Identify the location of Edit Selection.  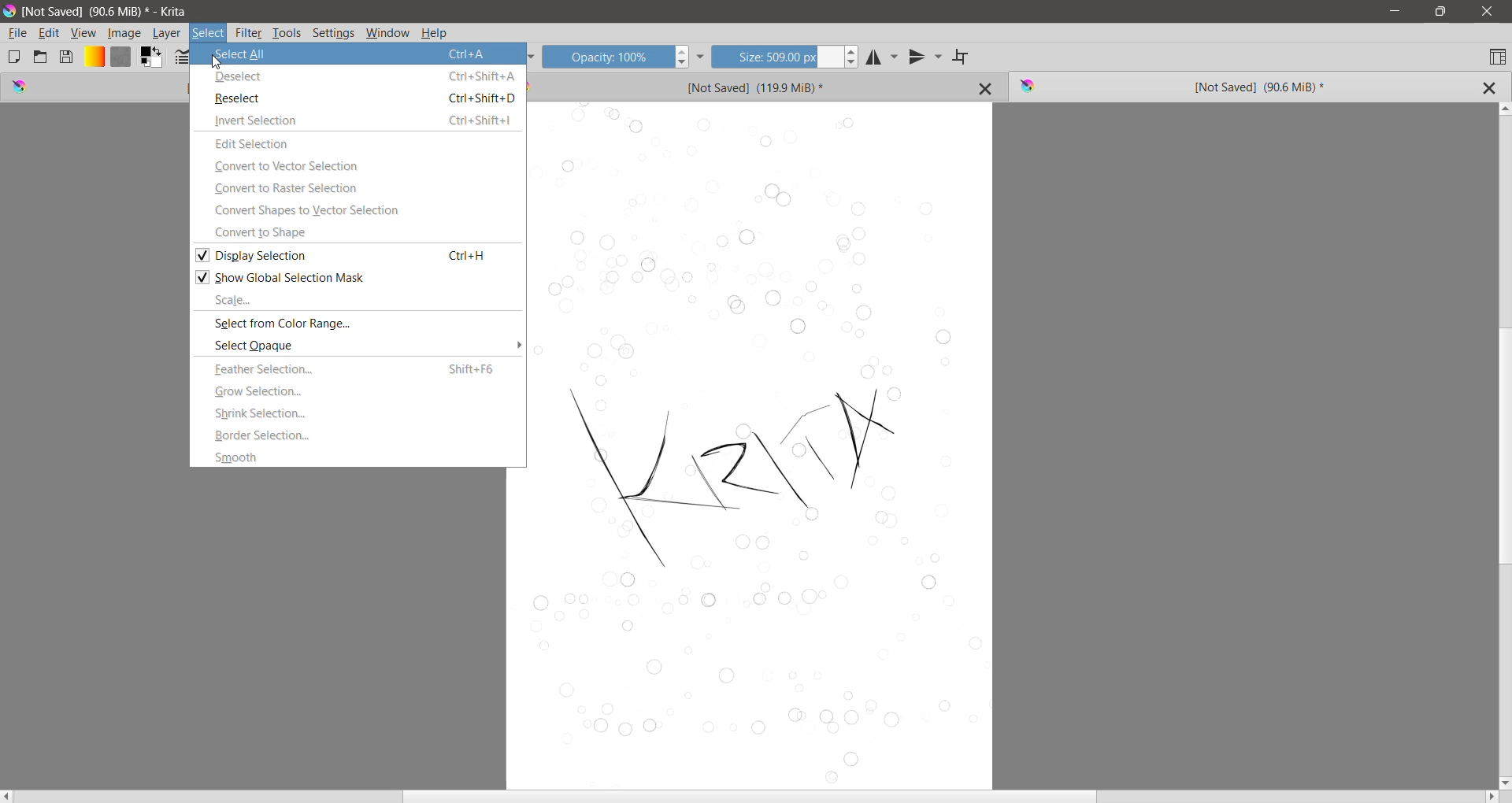
(358, 143).